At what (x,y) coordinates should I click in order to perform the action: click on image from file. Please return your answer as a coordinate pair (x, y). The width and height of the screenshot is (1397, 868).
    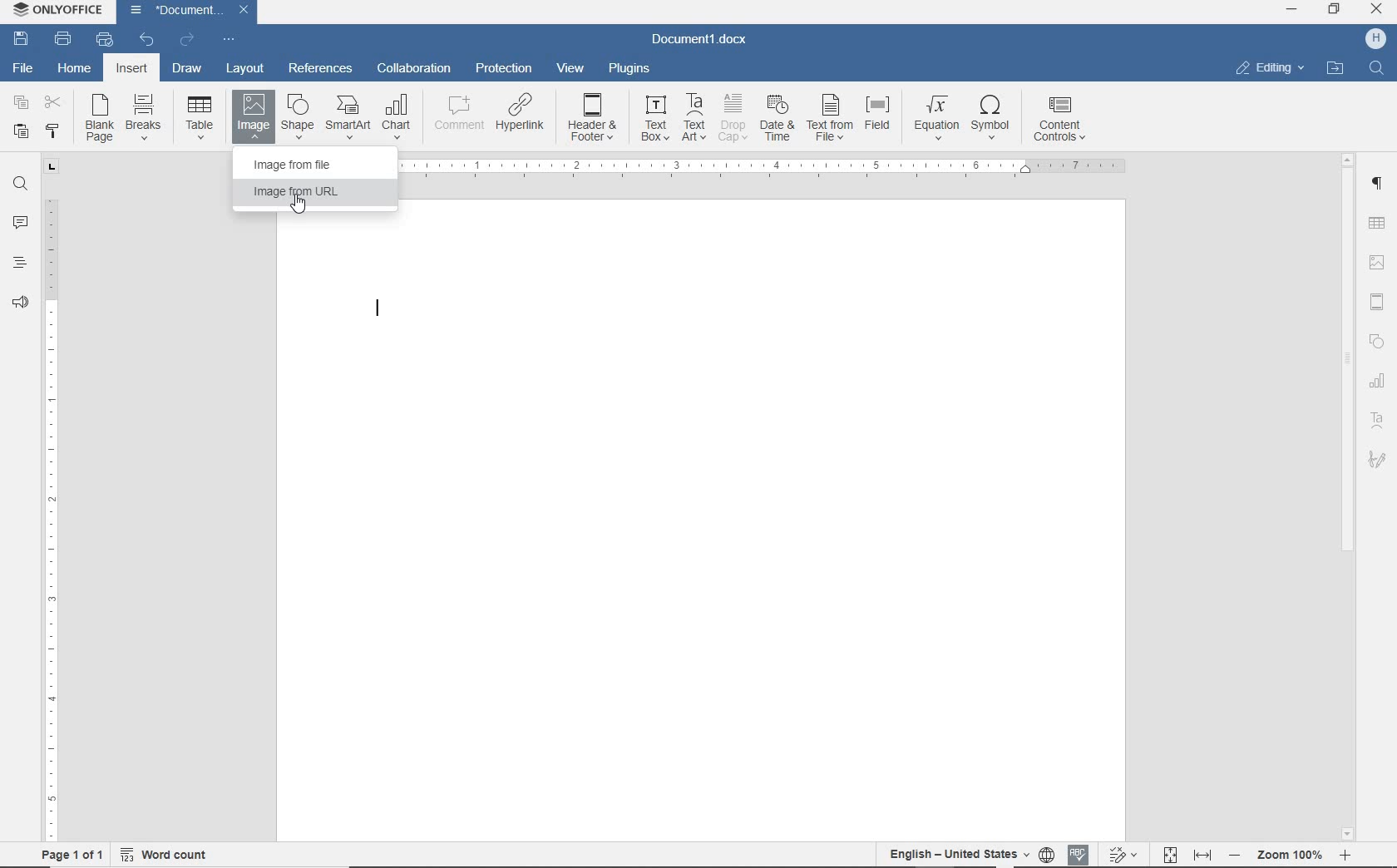
    Looking at the image, I should click on (296, 164).